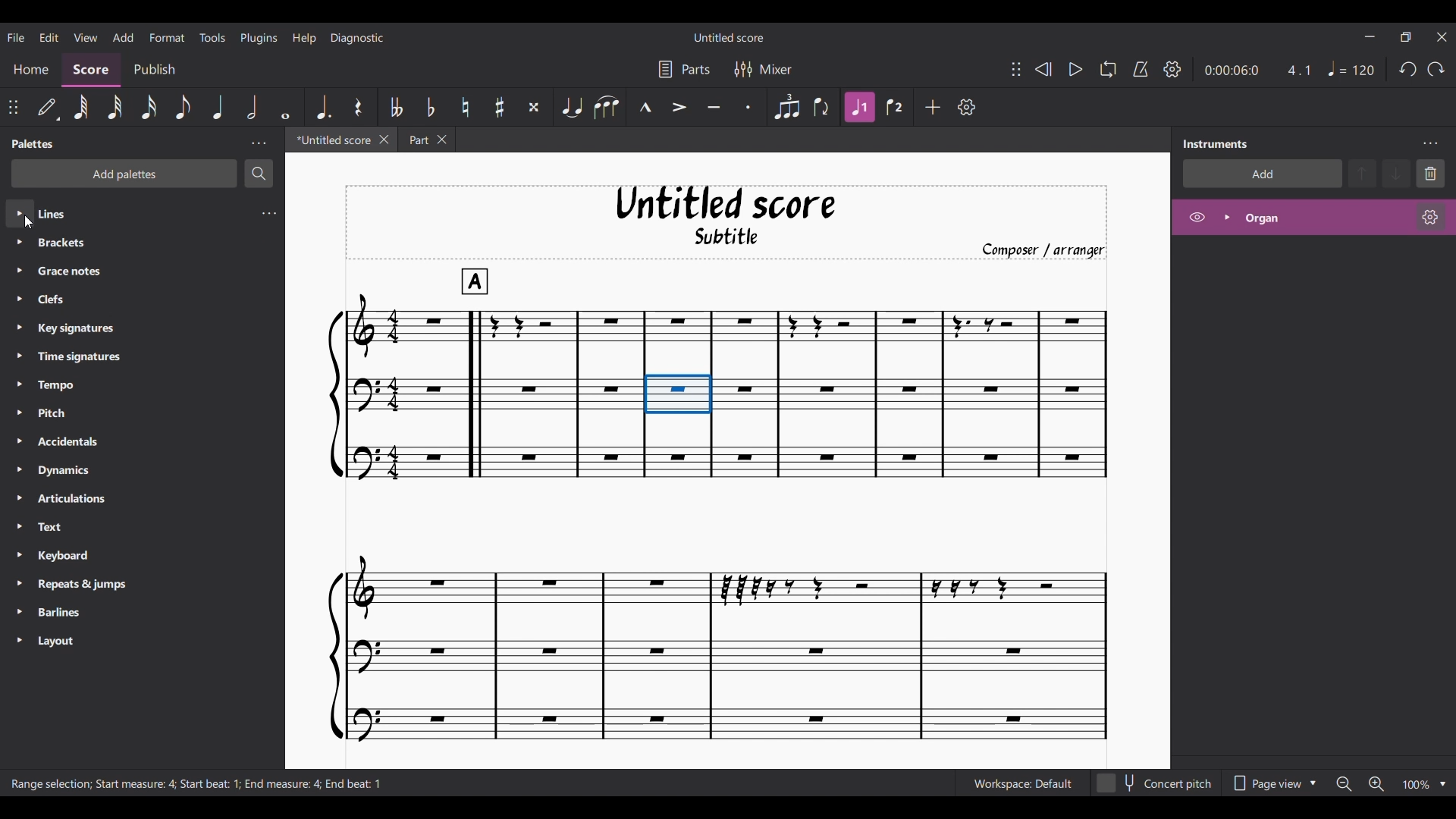 This screenshot has height=819, width=1456. I want to click on Panel title, so click(1216, 143).